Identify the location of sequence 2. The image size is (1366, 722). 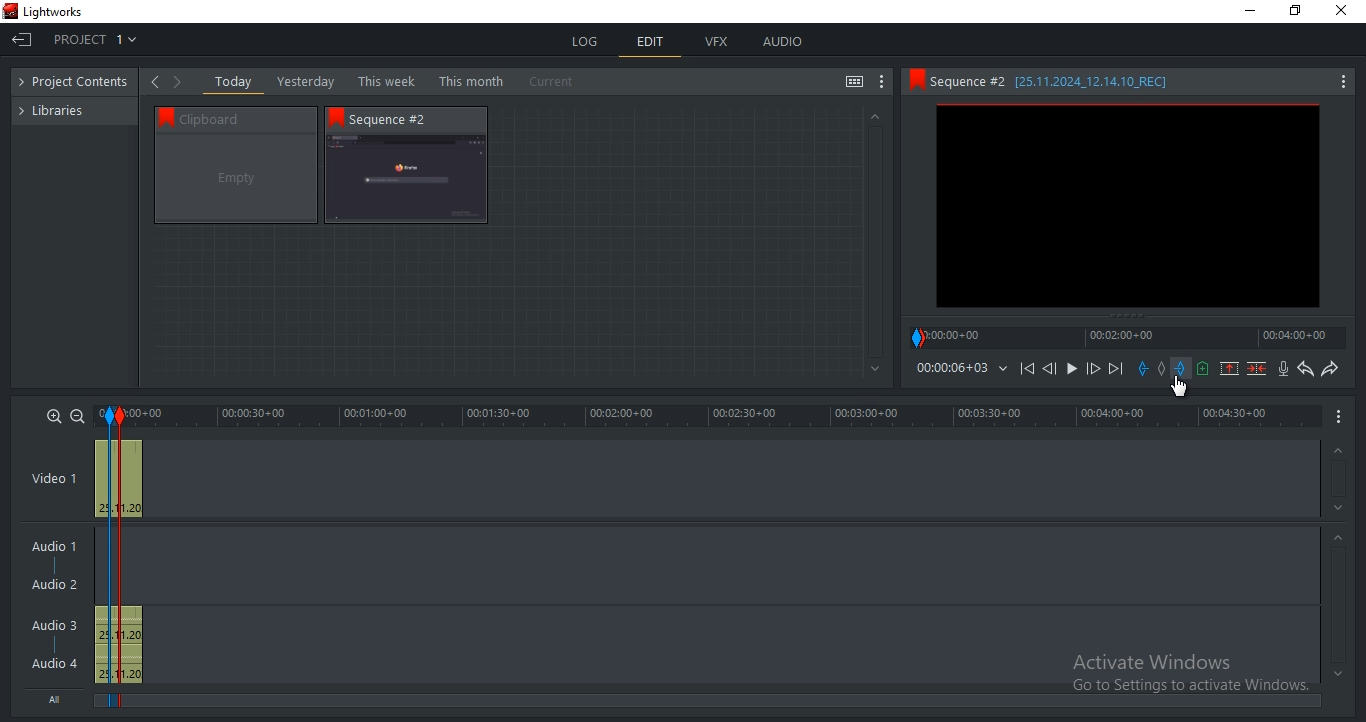
(1128, 208).